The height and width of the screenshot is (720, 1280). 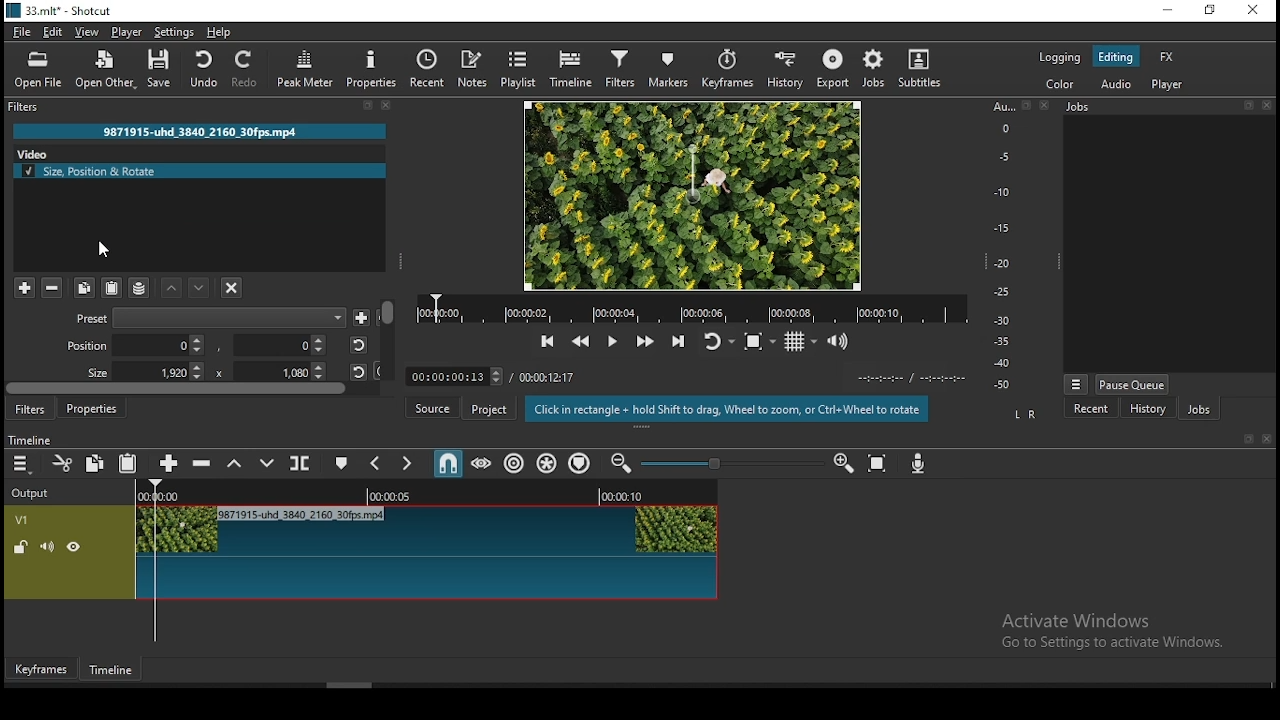 I want to click on -20, so click(x=1003, y=261).